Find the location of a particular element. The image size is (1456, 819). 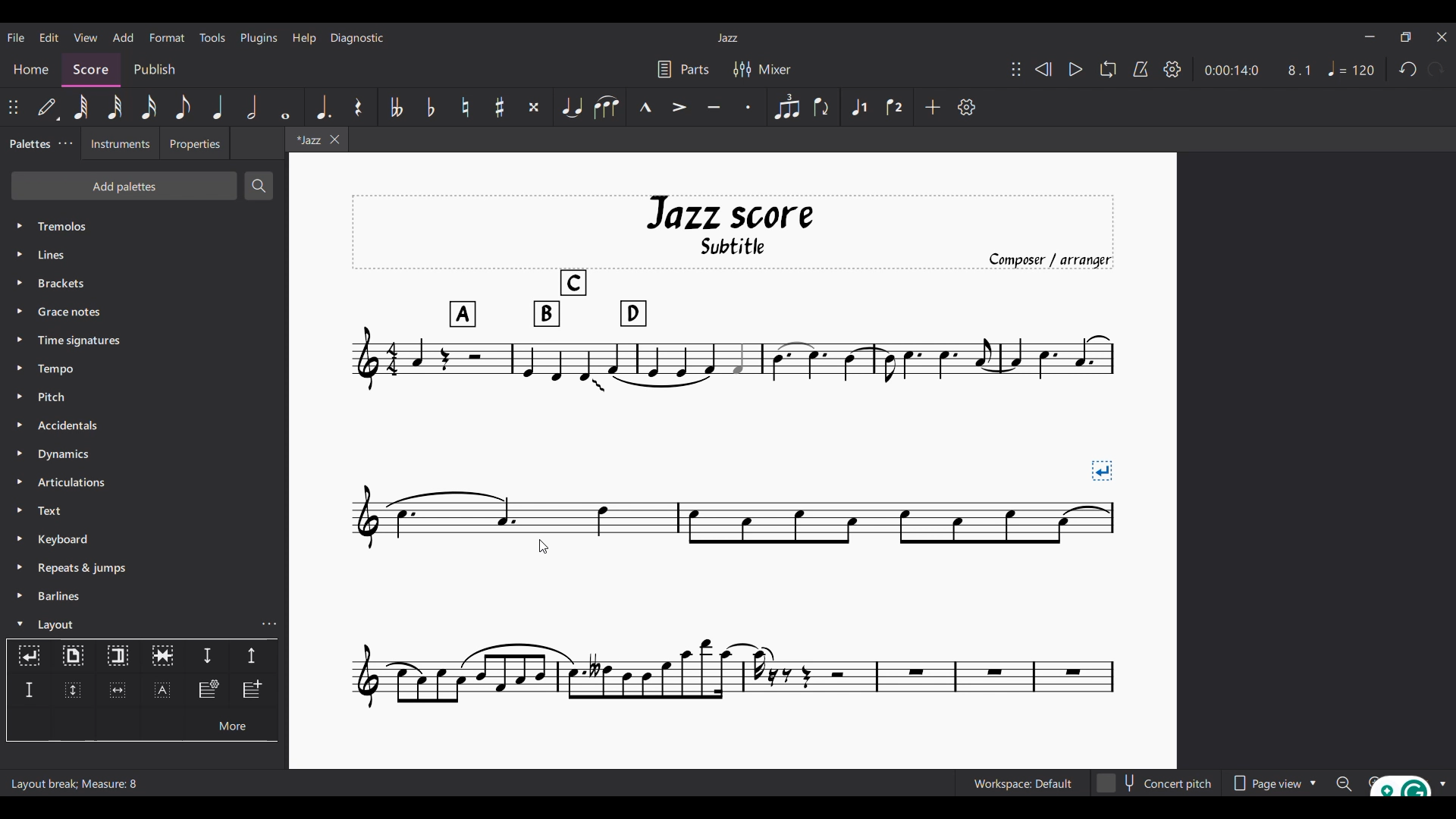

Concert pitch toggle is located at coordinates (1156, 783).